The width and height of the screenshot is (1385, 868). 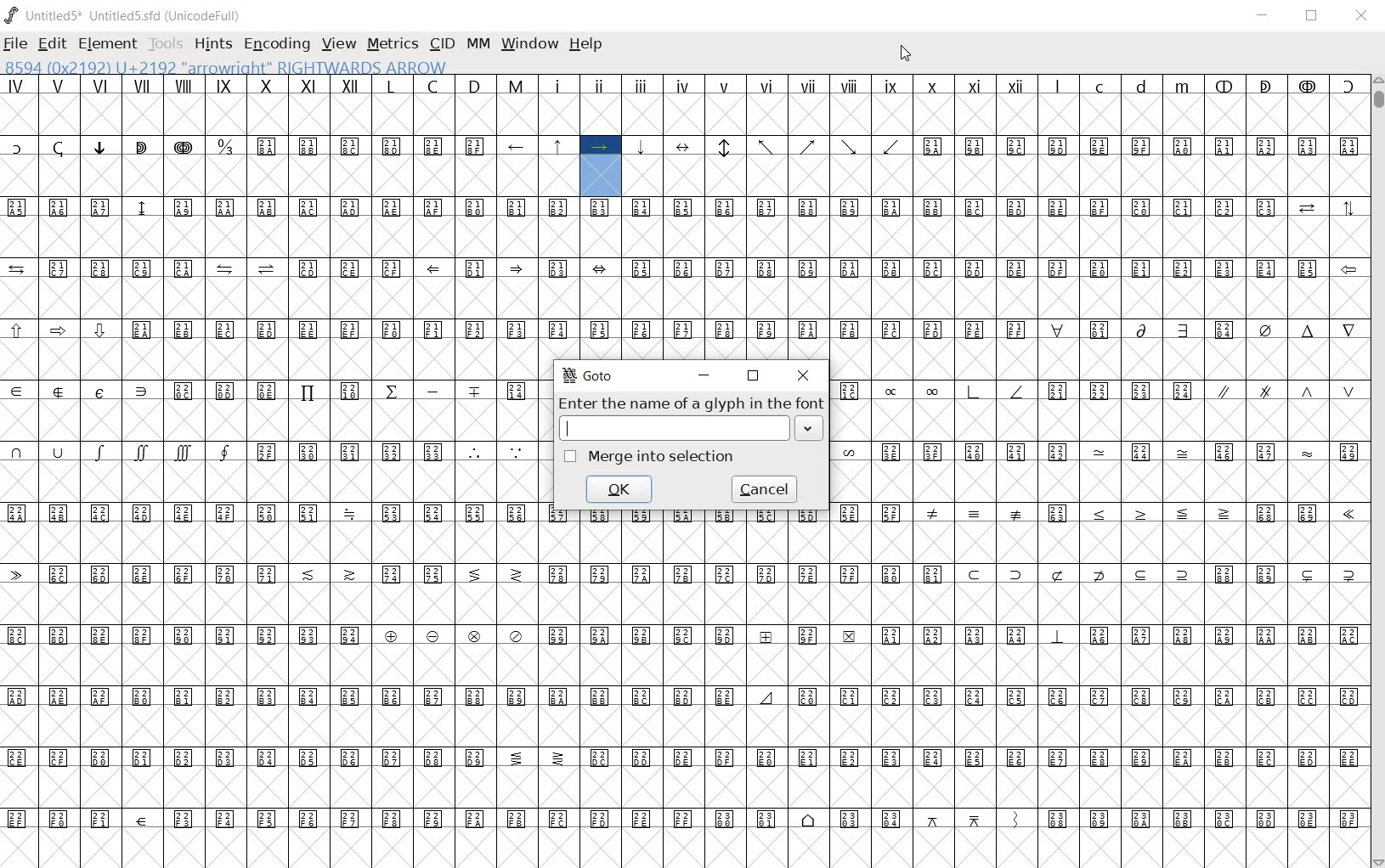 What do you see at coordinates (124, 13) in the screenshot?
I see `Untitled5* Untitled5.sfd (UnicodeFull)` at bounding box center [124, 13].